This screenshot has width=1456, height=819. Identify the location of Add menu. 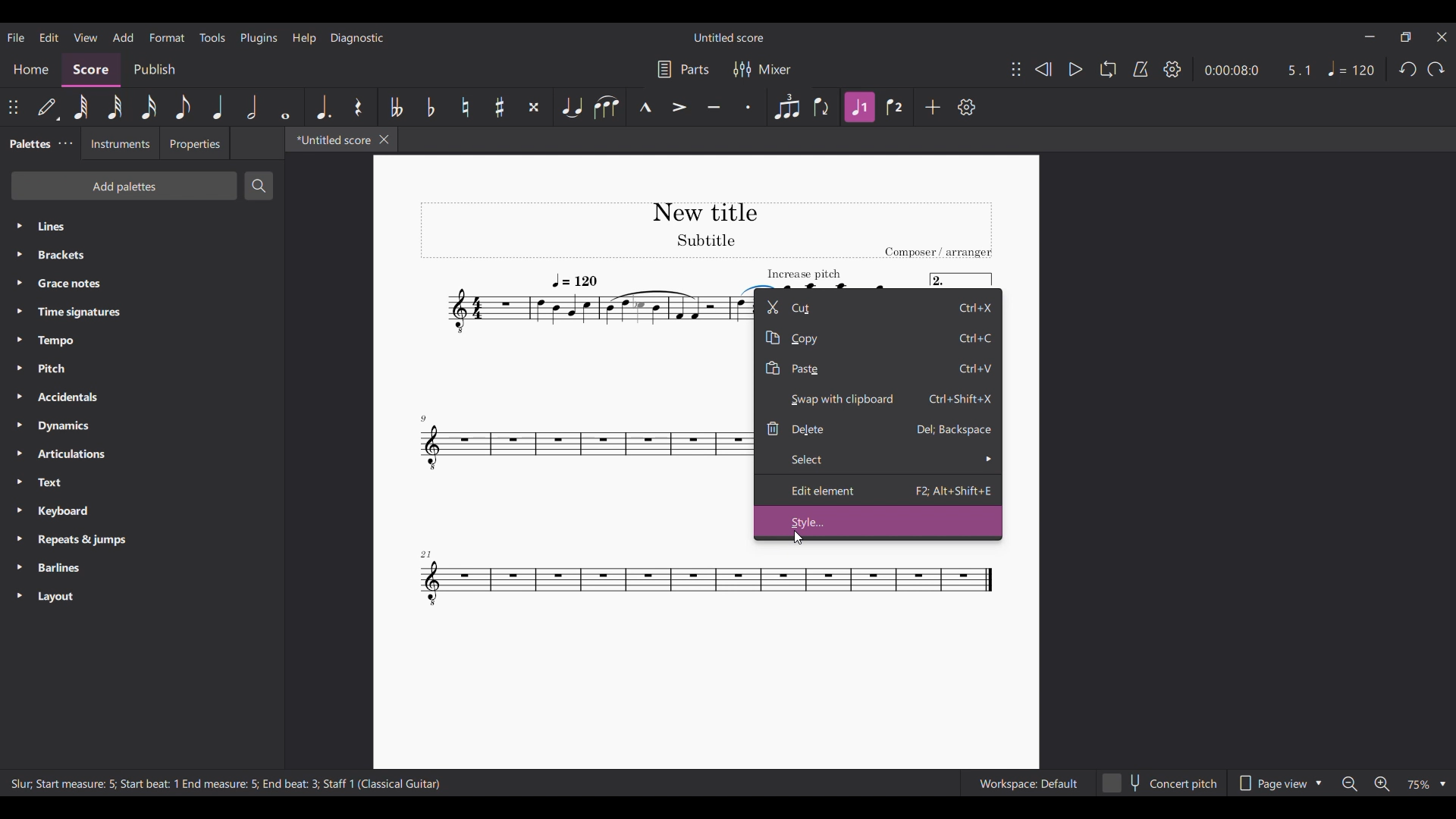
(124, 38).